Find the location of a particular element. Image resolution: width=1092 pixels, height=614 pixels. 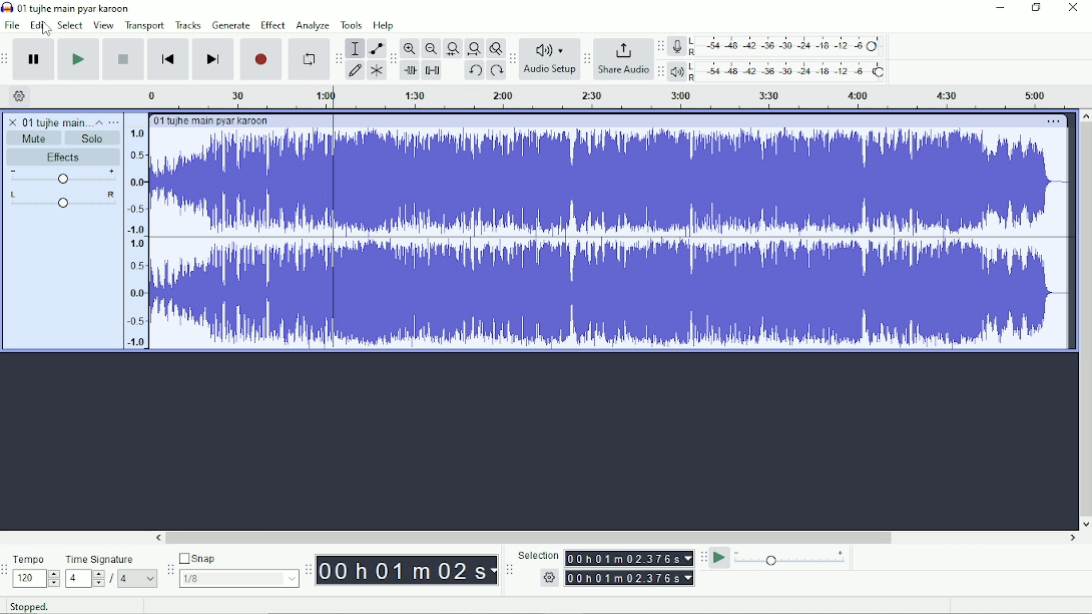

Playback speed is located at coordinates (792, 558).